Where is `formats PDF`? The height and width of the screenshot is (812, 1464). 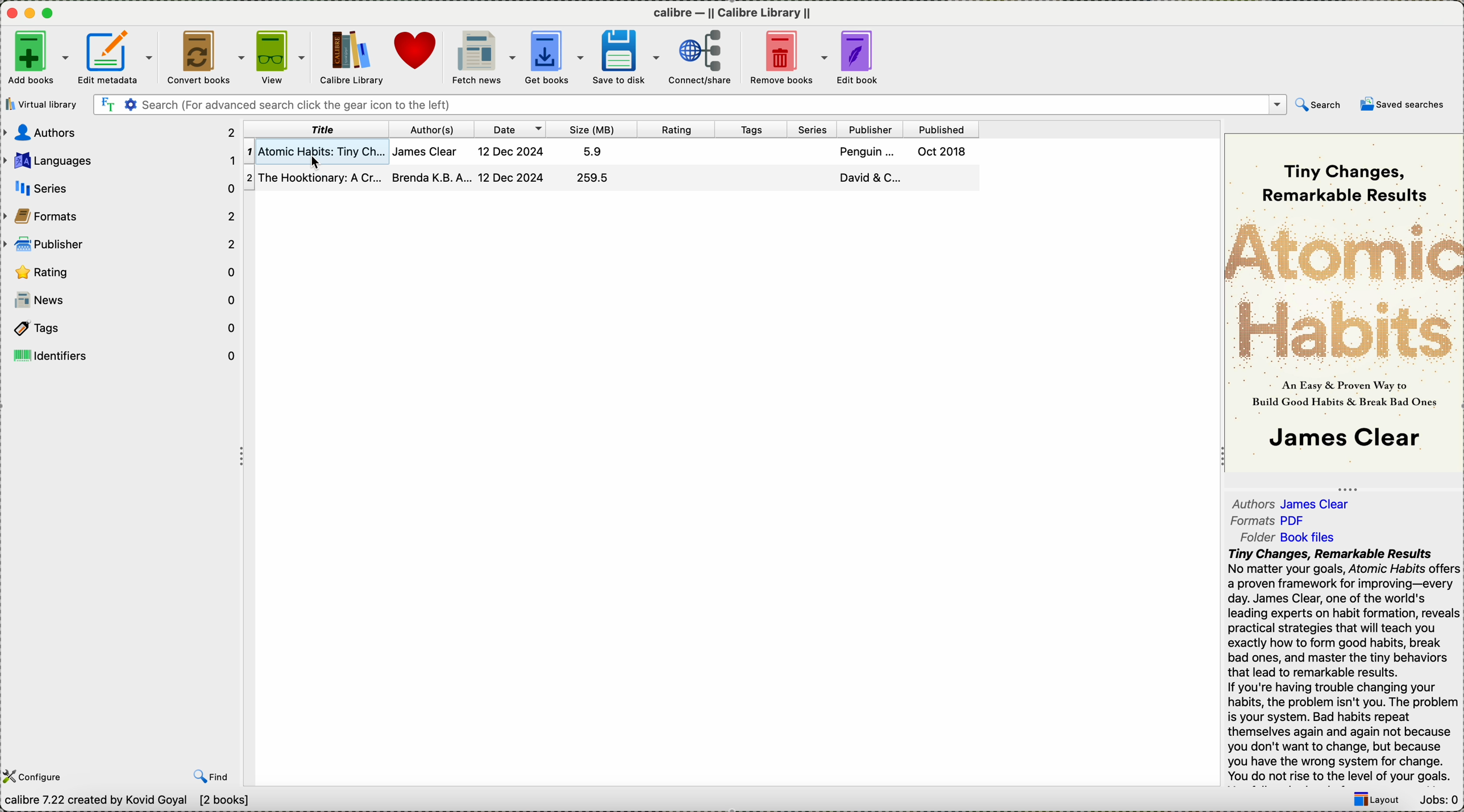
formats PDF is located at coordinates (1268, 520).